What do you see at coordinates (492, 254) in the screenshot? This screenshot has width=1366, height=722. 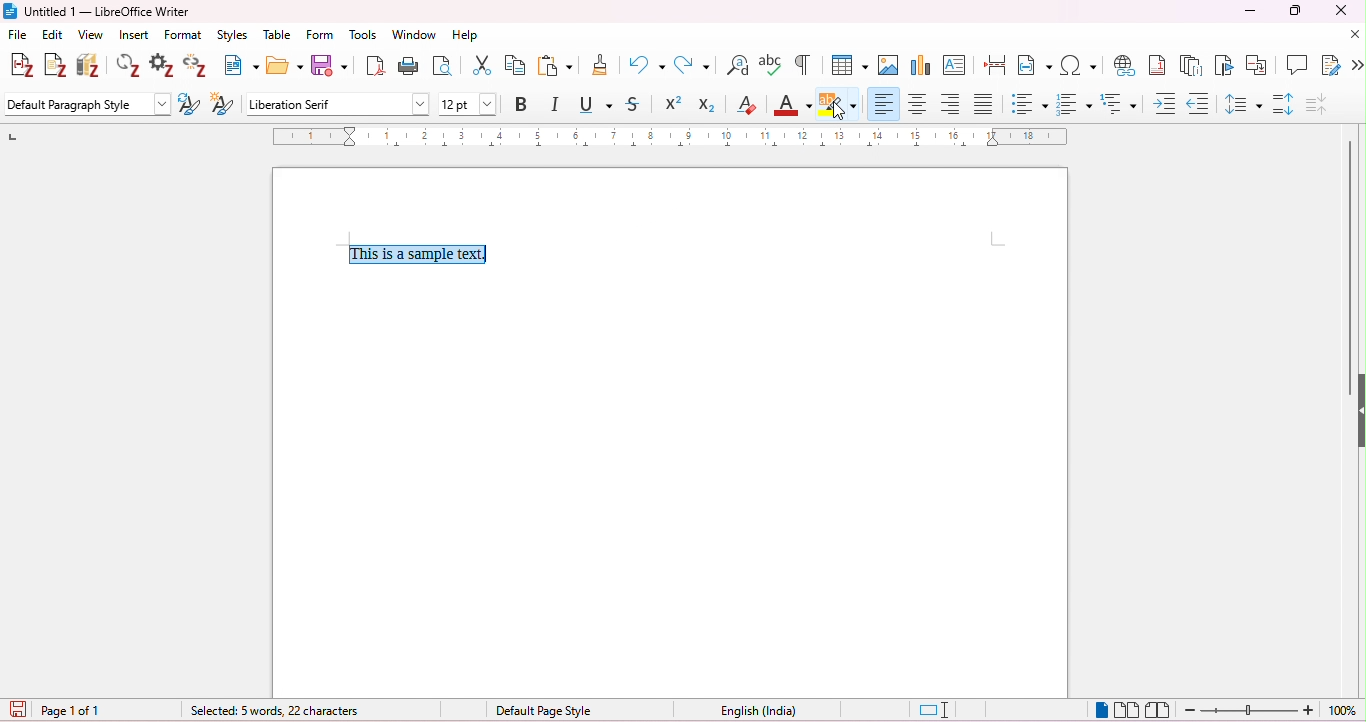 I see `typing cursor on text` at bounding box center [492, 254].